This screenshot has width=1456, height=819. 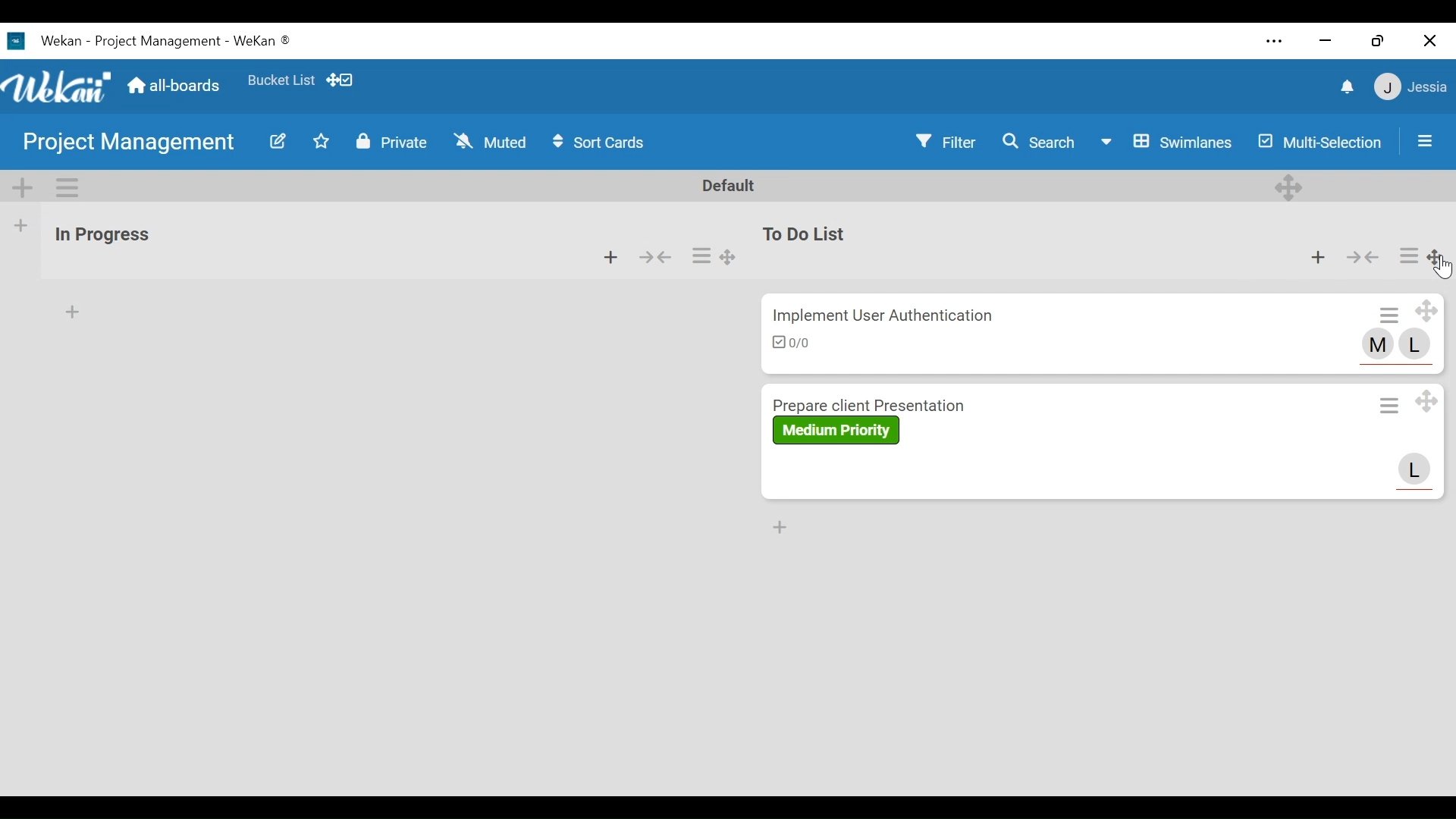 I want to click on cursor, so click(x=1442, y=266).